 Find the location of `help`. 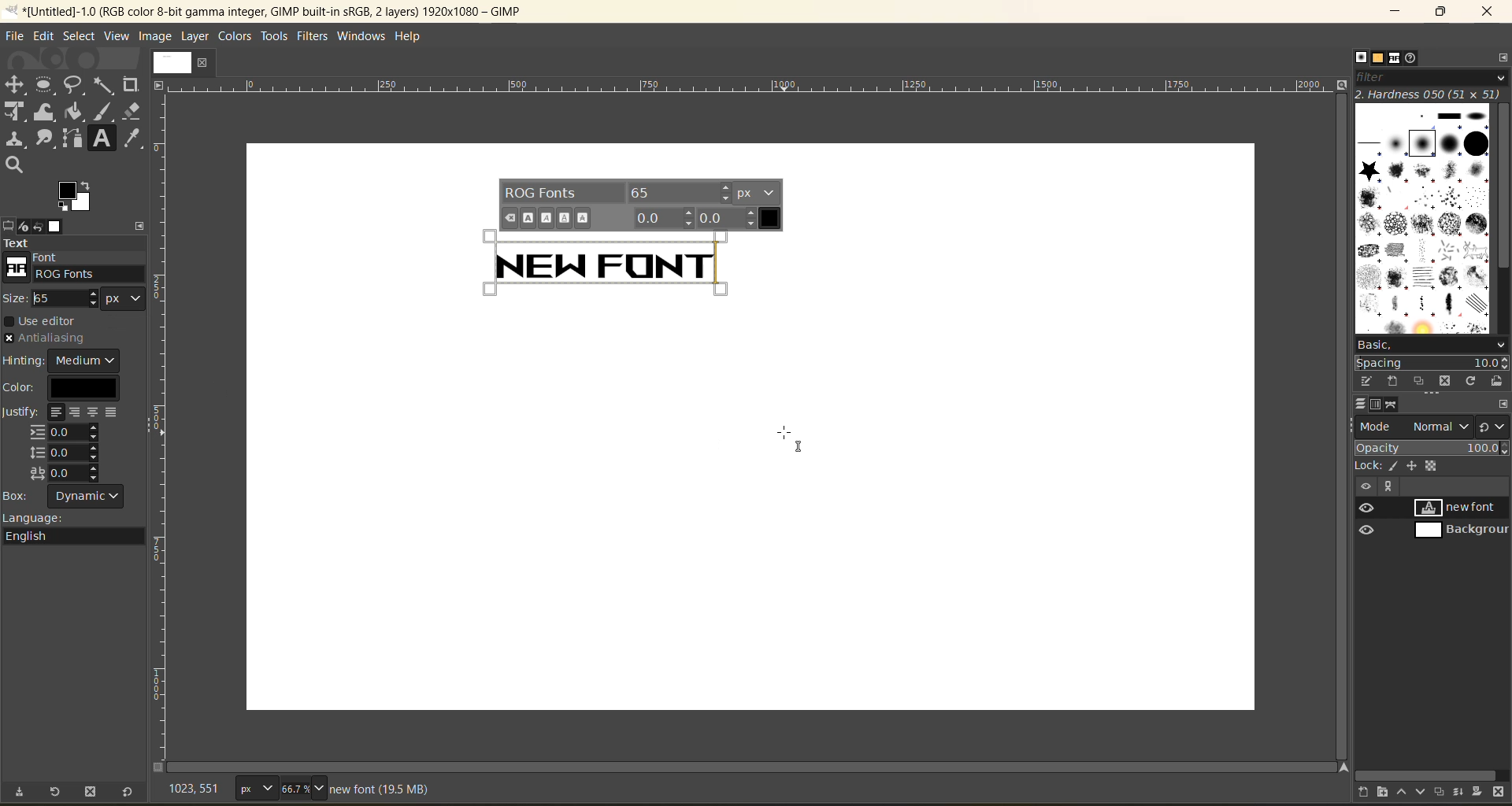

help is located at coordinates (413, 37).